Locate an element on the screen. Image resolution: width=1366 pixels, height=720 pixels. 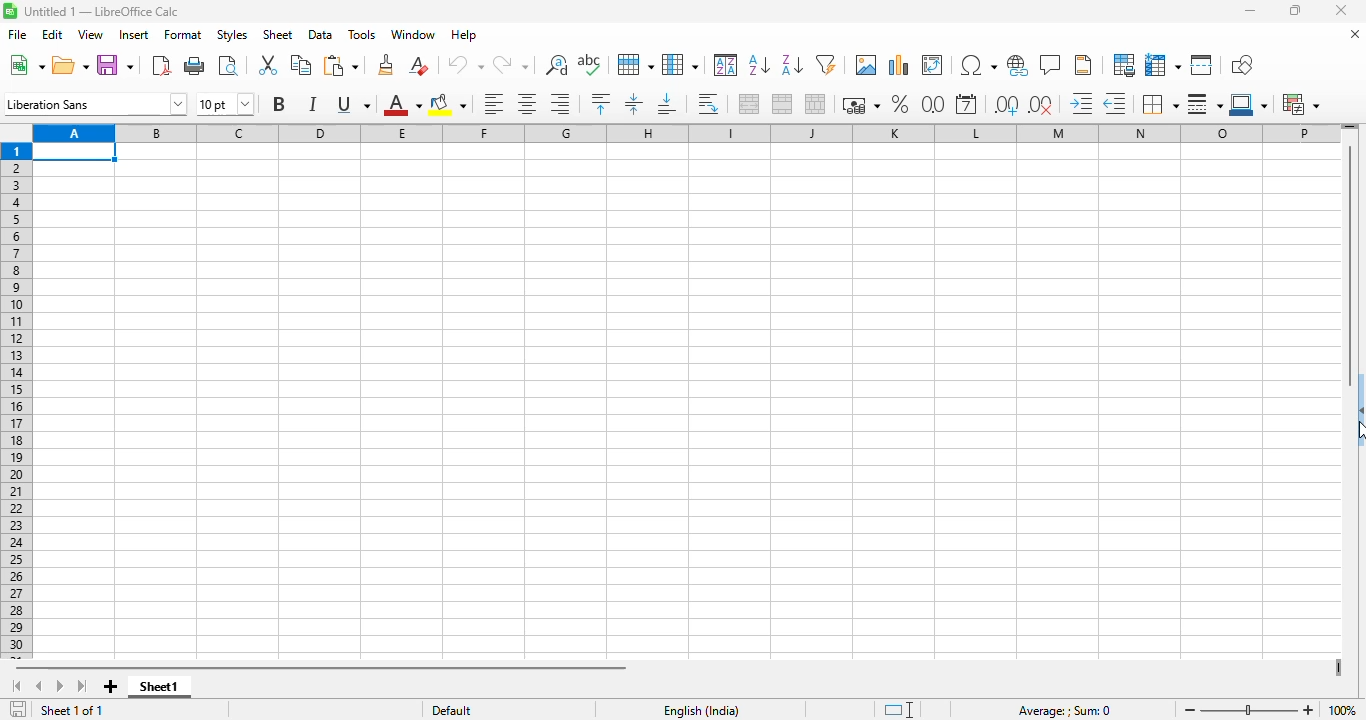
scroll to previous sheet is located at coordinates (38, 687).